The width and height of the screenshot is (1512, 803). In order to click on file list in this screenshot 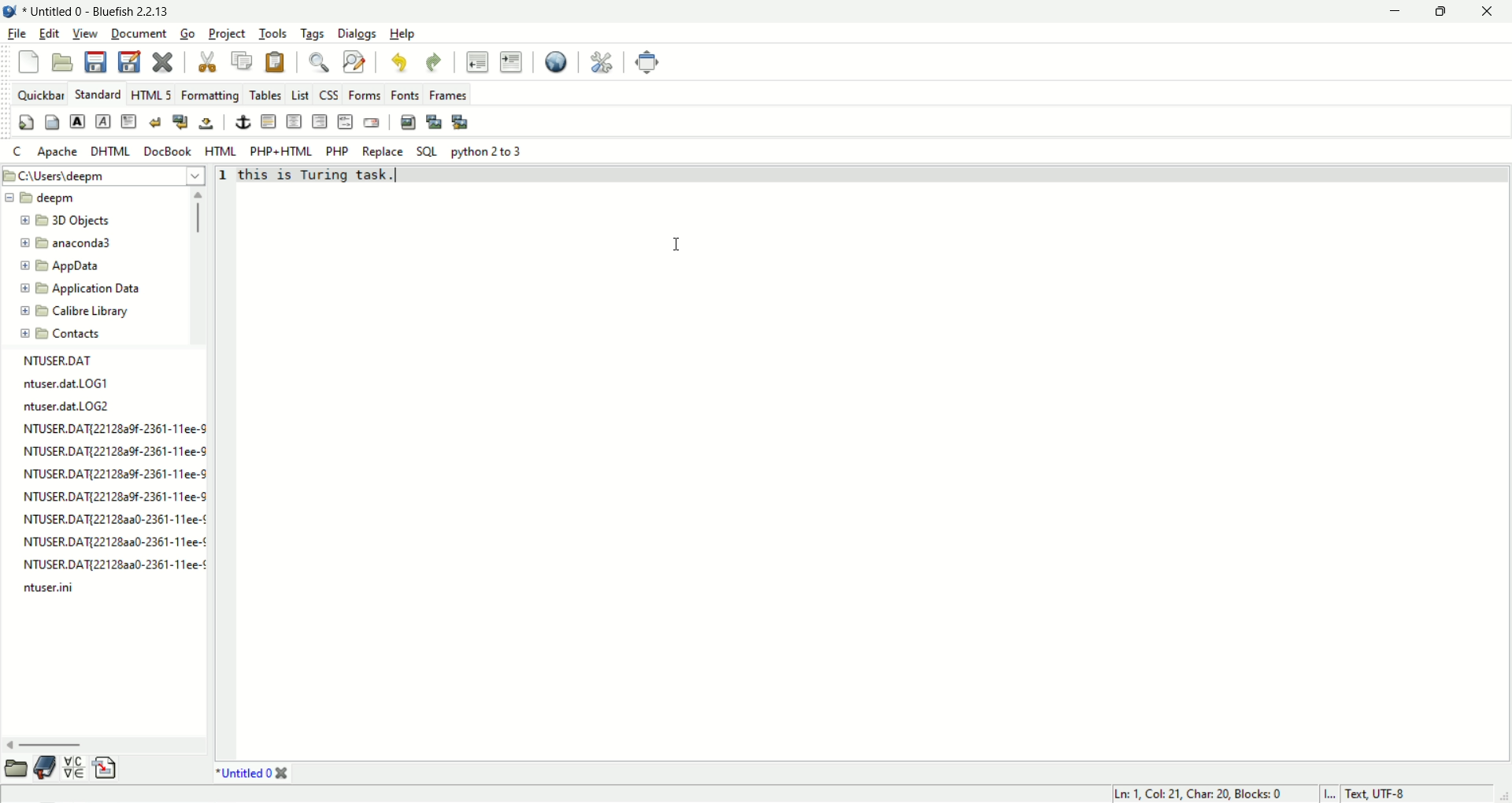, I will do `click(109, 483)`.